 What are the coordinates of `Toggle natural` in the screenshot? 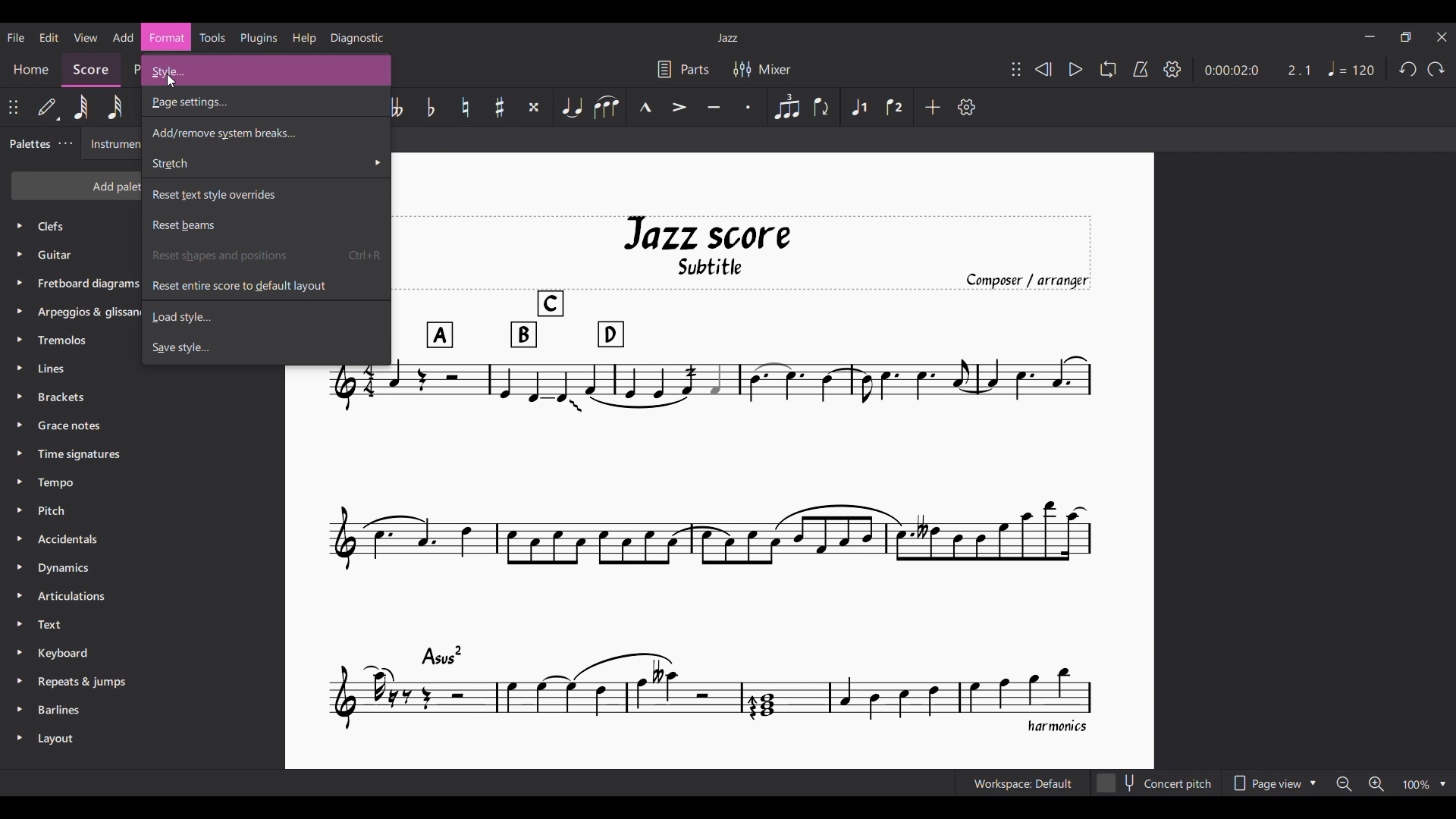 It's located at (466, 107).